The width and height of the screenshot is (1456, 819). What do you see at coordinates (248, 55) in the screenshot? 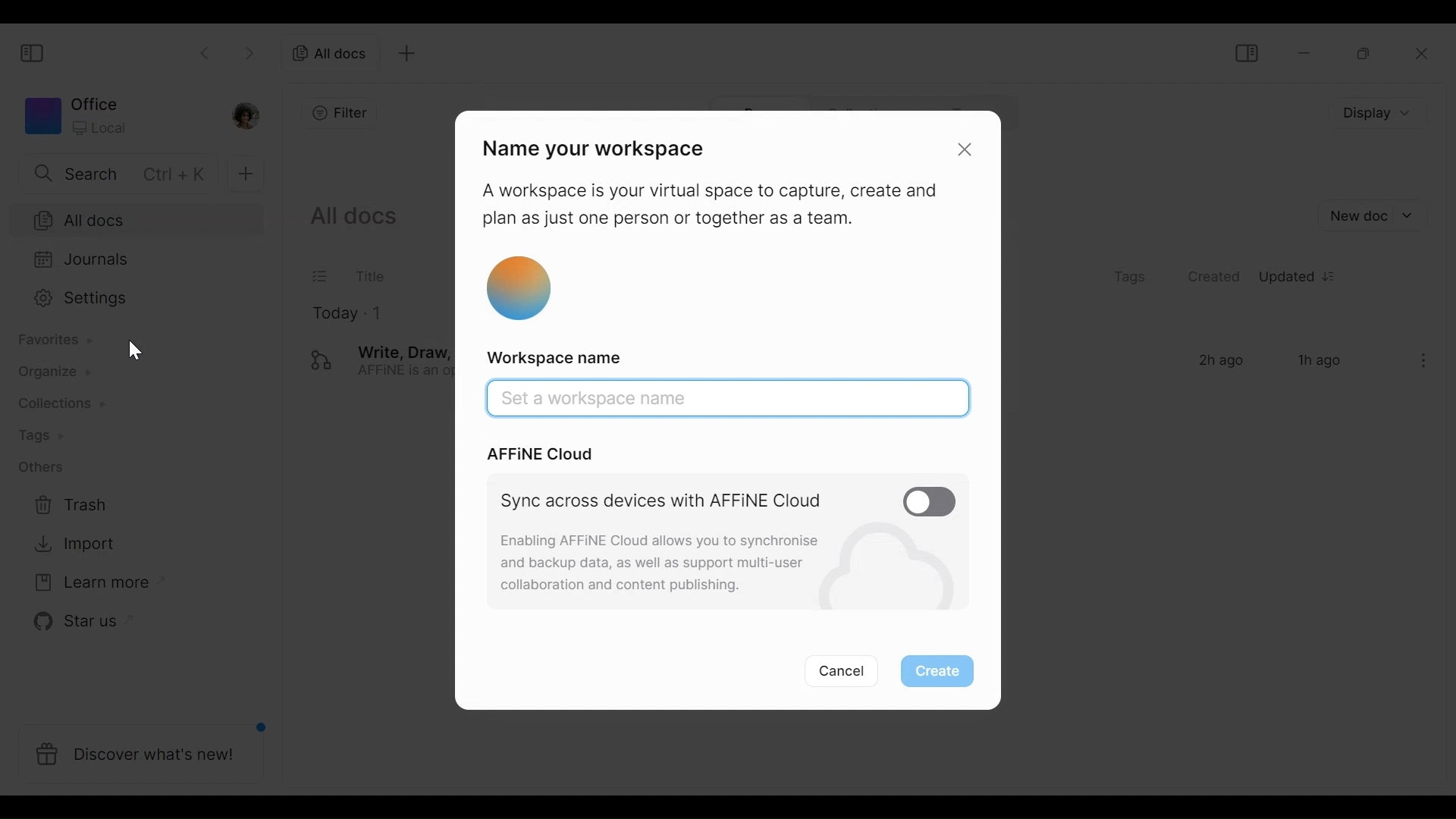
I see `Go forward` at bounding box center [248, 55].